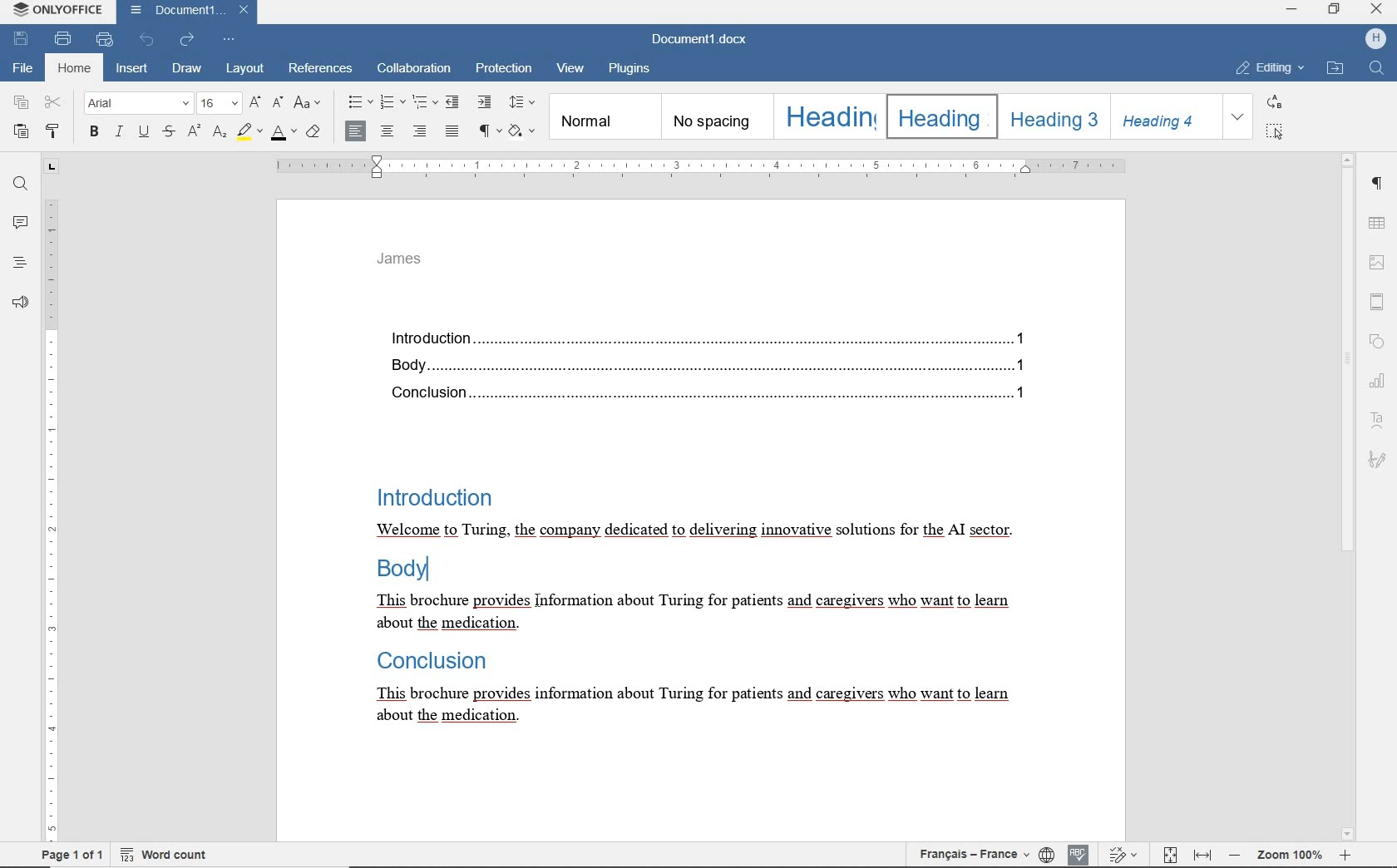 Image resolution: width=1397 pixels, height=868 pixels. What do you see at coordinates (1335, 70) in the screenshot?
I see `OPEN FILE LOCATION` at bounding box center [1335, 70].